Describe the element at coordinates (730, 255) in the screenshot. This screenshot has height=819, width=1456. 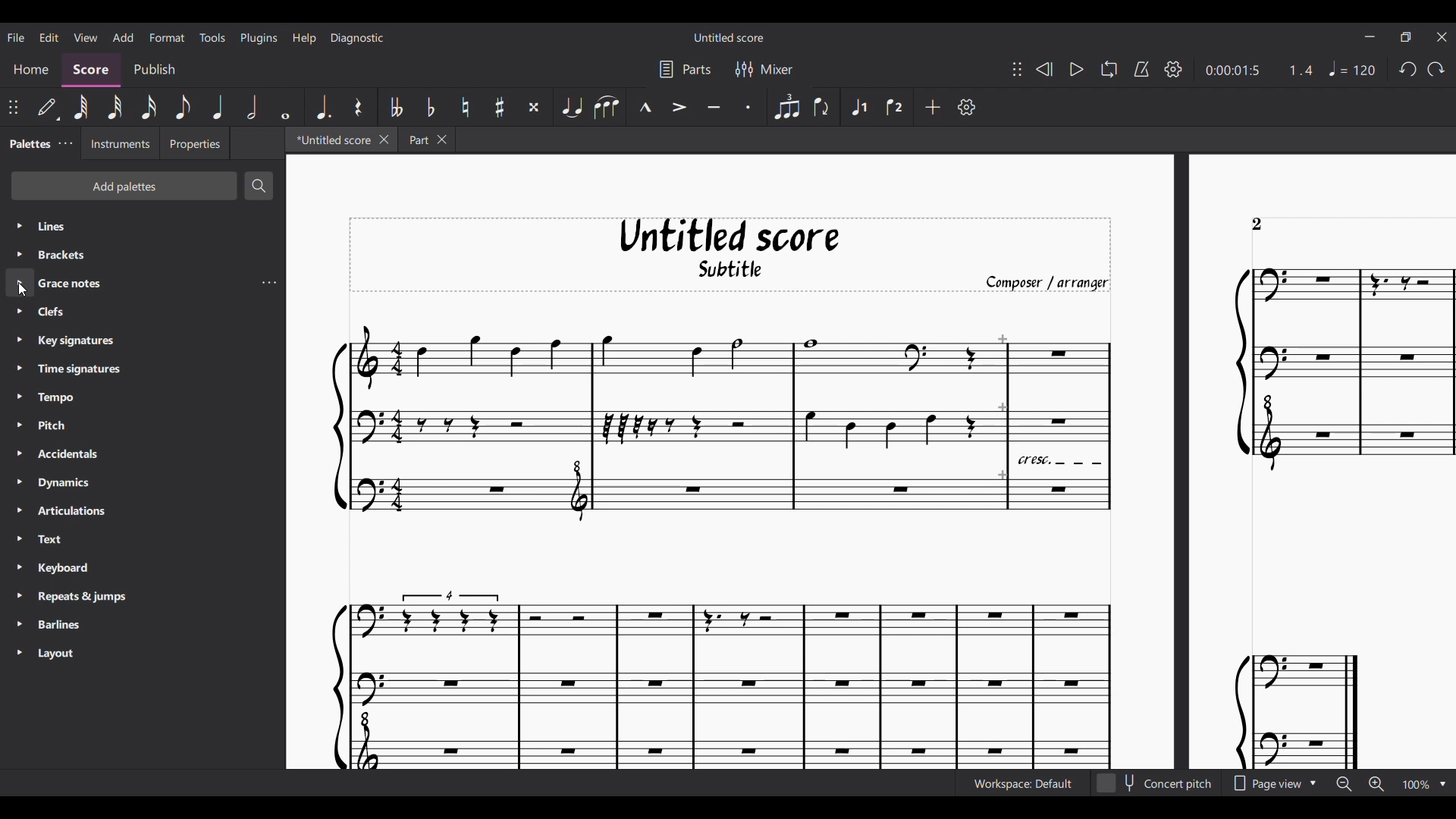
I see `Score title, sub-title, and composer name` at that location.